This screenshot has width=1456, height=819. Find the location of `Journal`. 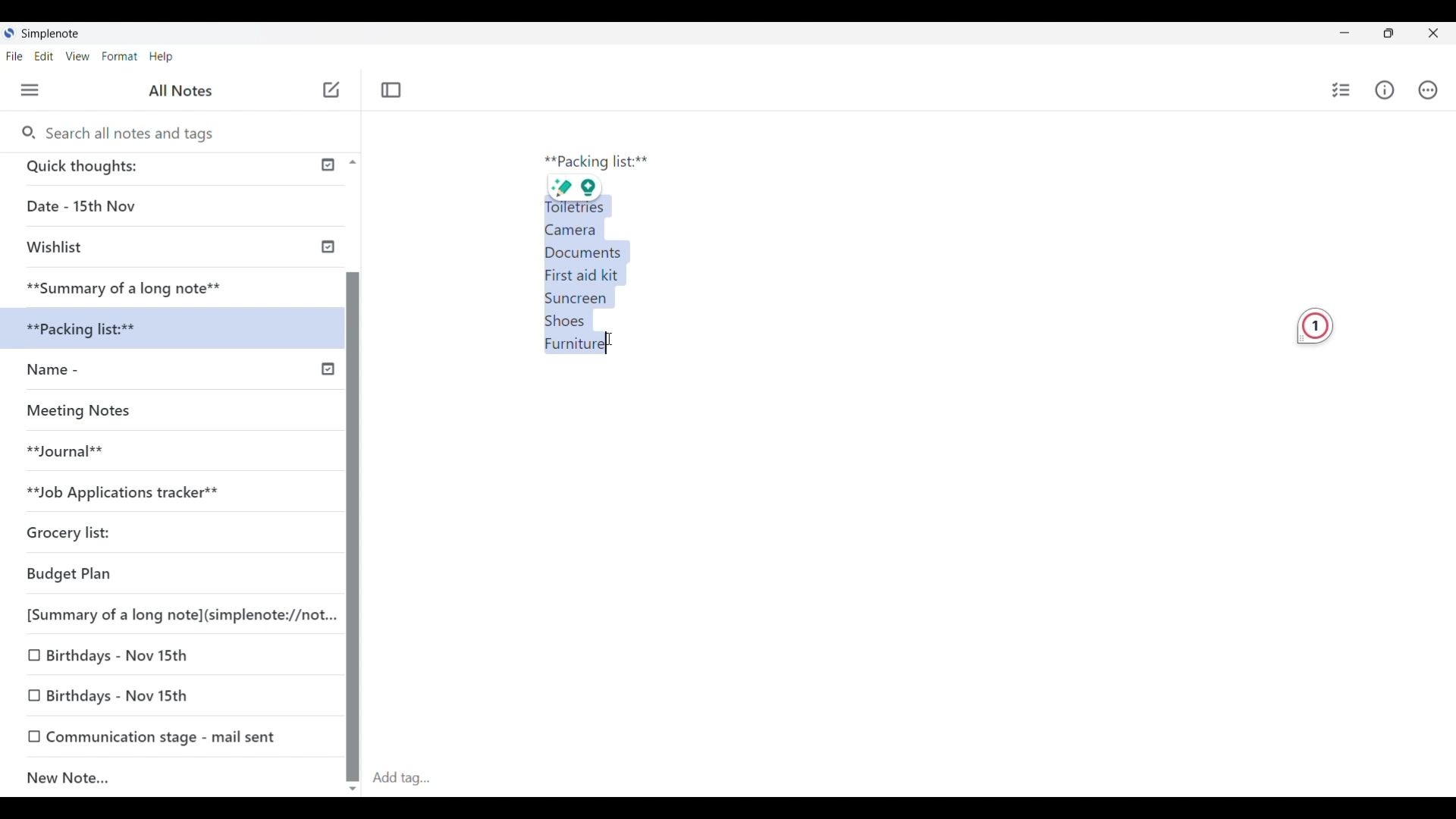

Journal is located at coordinates (83, 457).